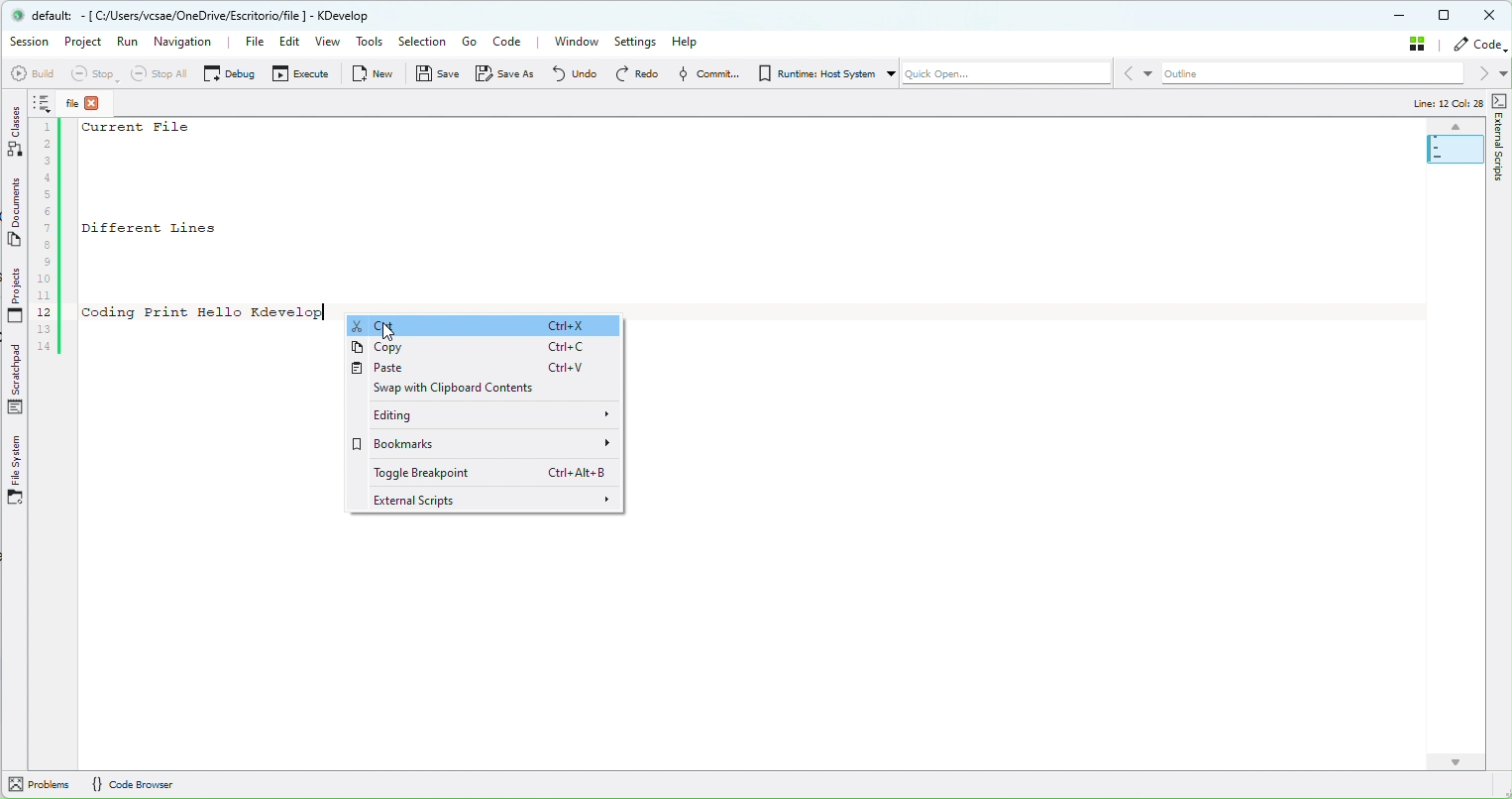 The width and height of the screenshot is (1512, 799). Describe the element at coordinates (513, 42) in the screenshot. I see `Code` at that location.